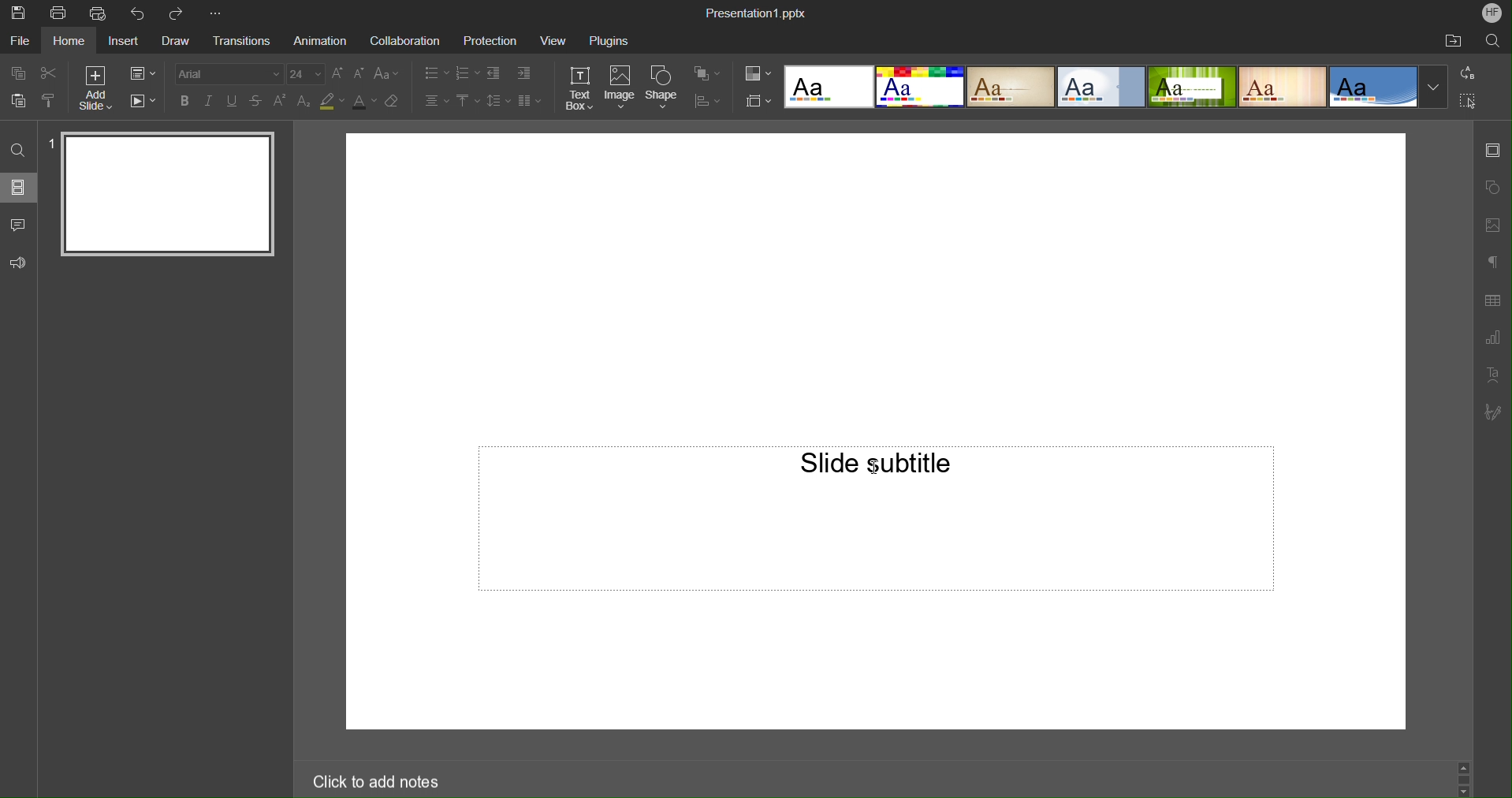 This screenshot has width=1512, height=798. I want to click on Alignment, so click(436, 101).